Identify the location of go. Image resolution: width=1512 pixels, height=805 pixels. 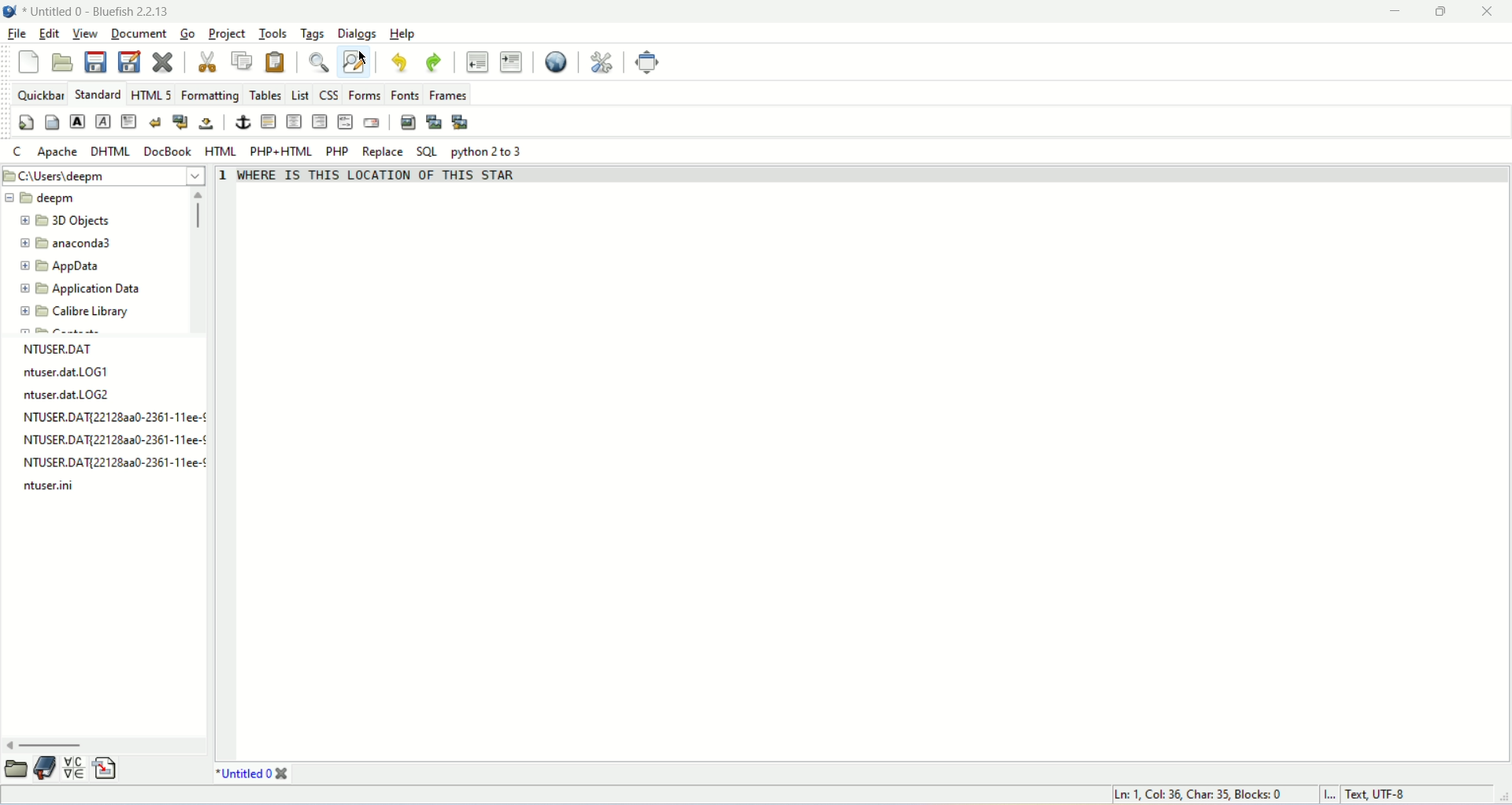
(187, 32).